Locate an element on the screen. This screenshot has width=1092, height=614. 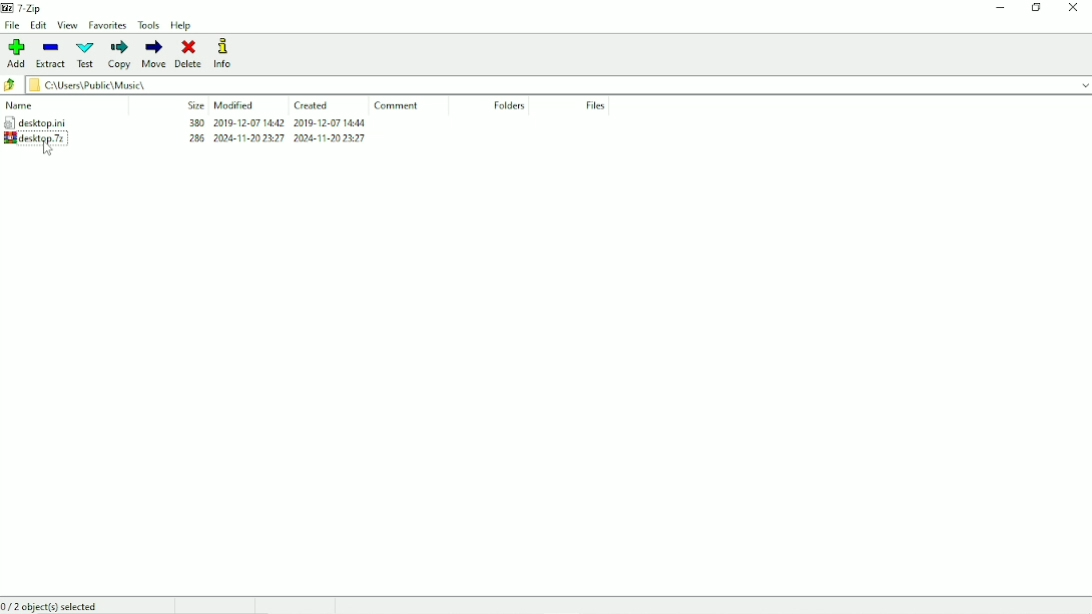
created date & time is located at coordinates (329, 122).